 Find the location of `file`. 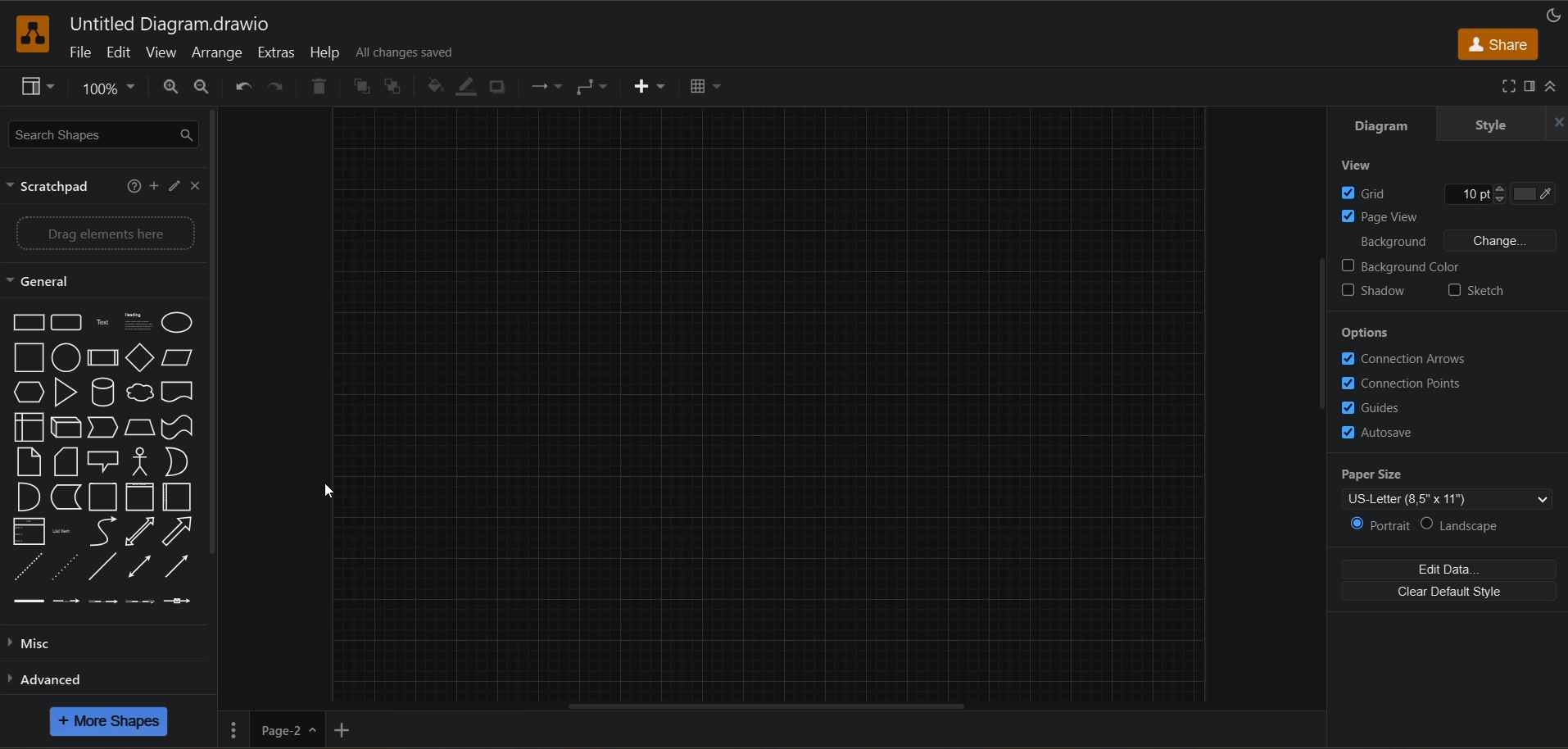

file is located at coordinates (79, 52).